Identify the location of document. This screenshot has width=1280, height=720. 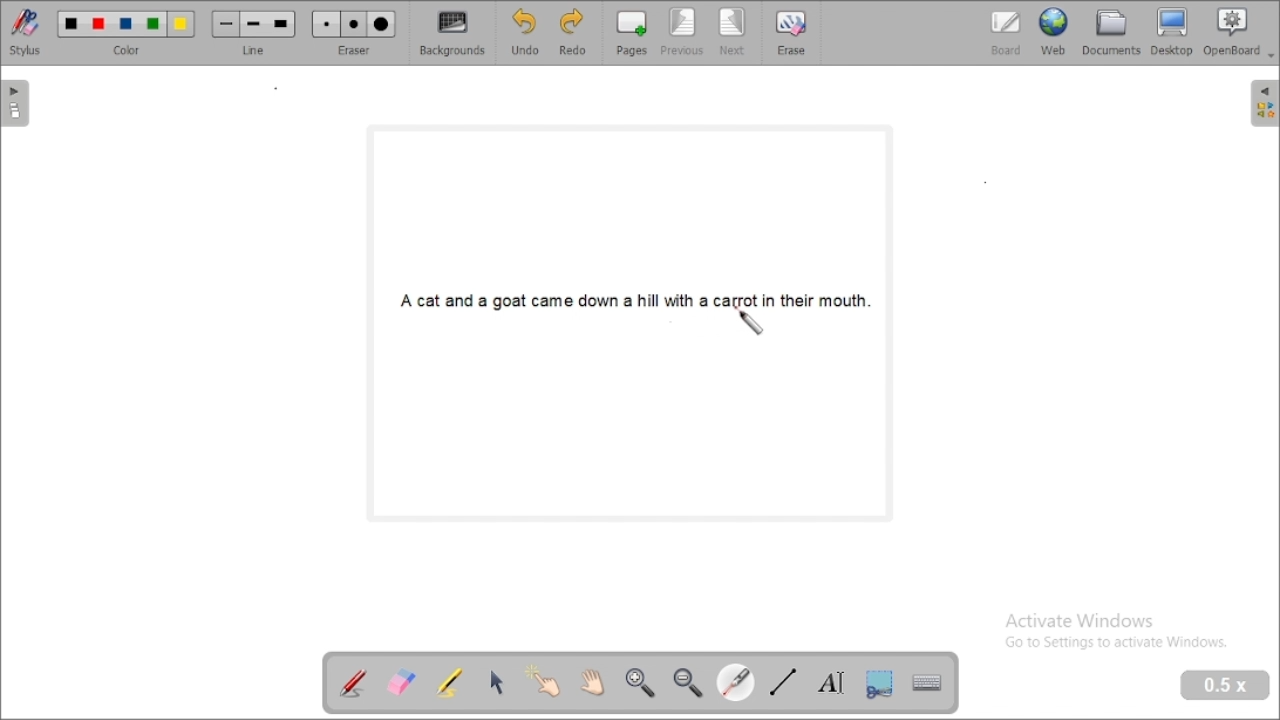
(1112, 32).